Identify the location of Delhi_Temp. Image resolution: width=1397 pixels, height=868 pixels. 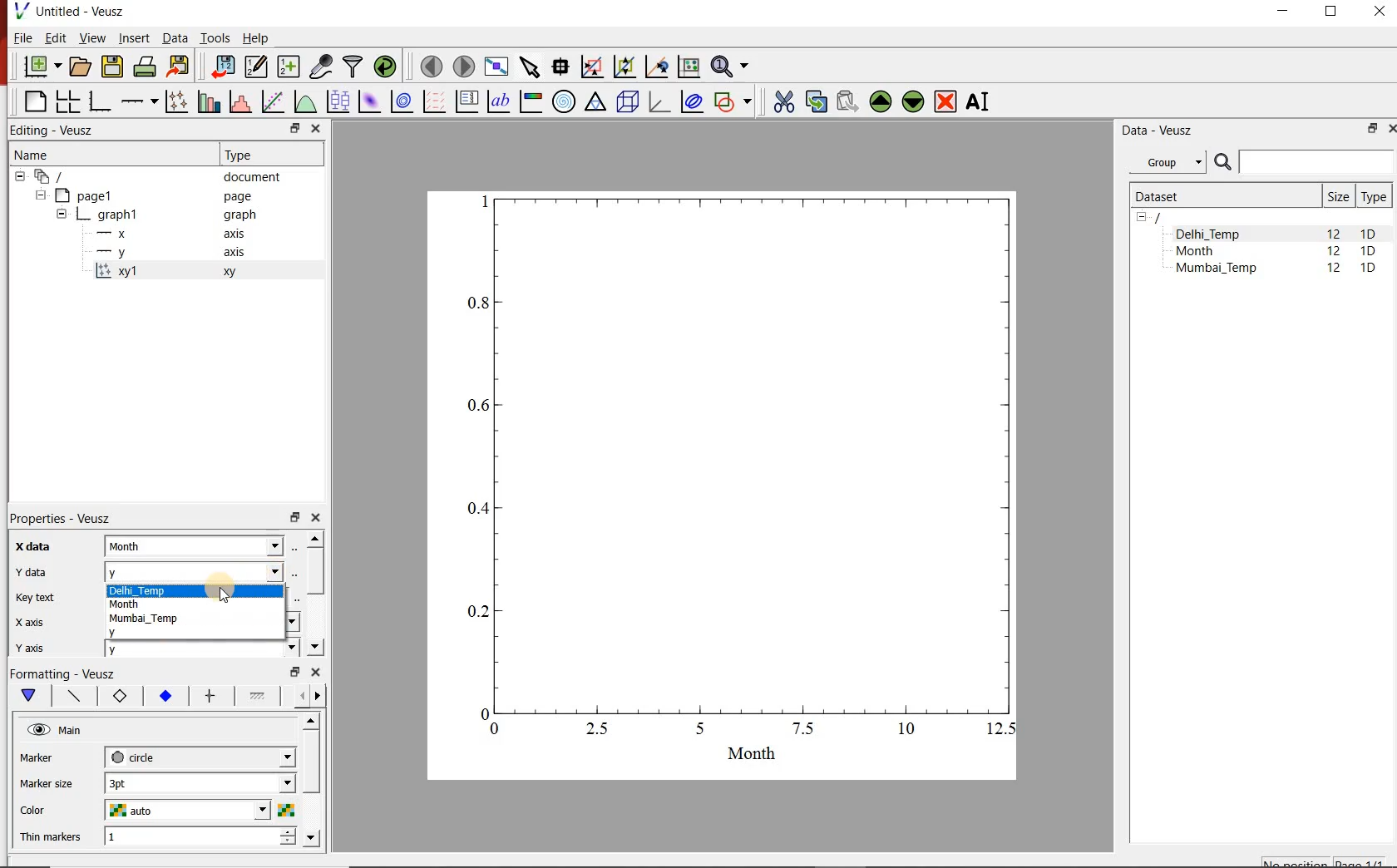
(1211, 234).